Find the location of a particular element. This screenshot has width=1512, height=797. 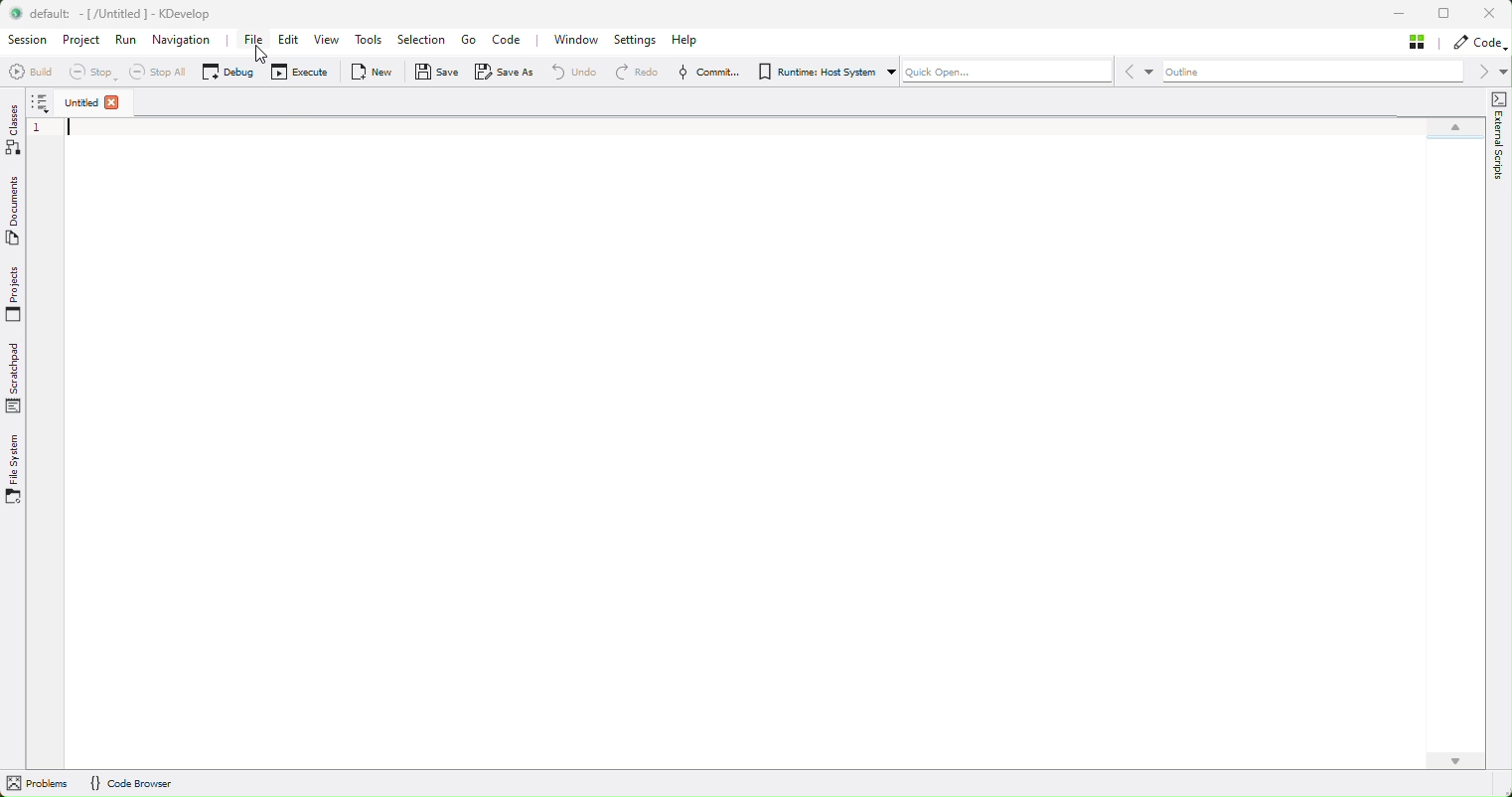

Project is located at coordinates (81, 42).